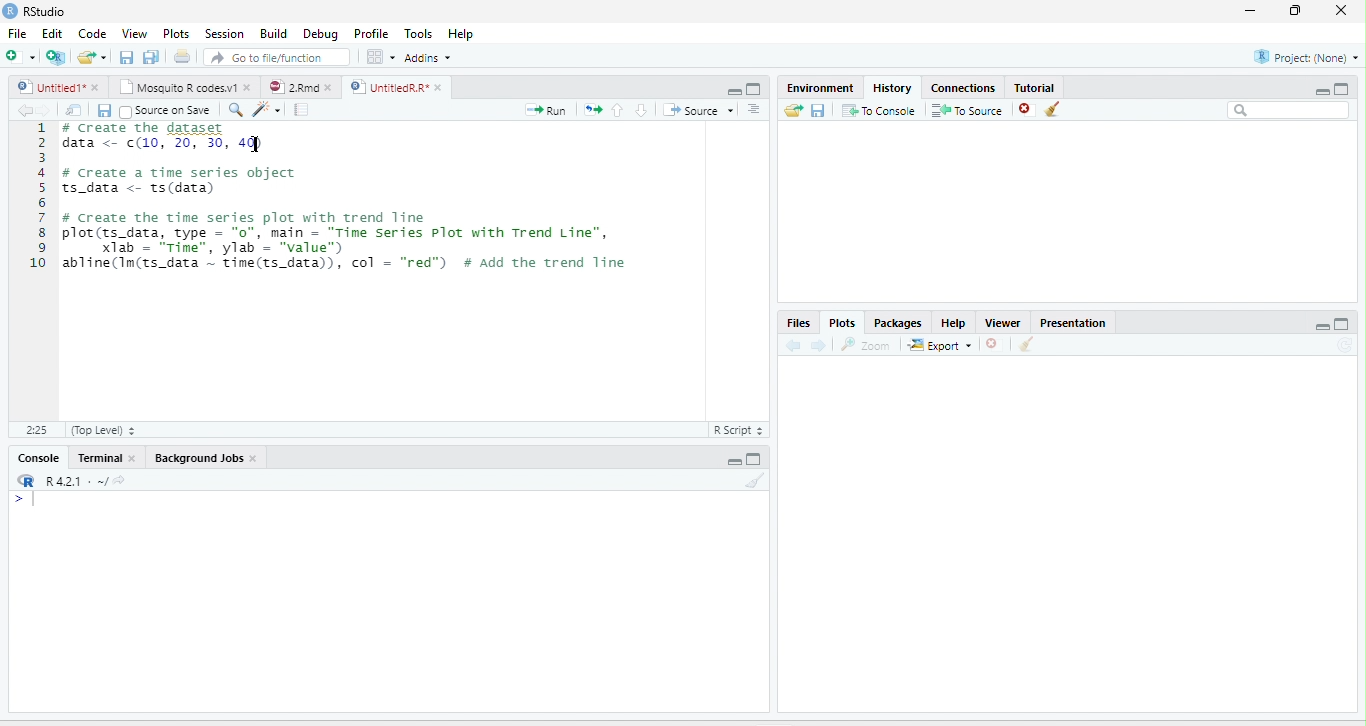 This screenshot has height=726, width=1366. What do you see at coordinates (1296, 11) in the screenshot?
I see `restore` at bounding box center [1296, 11].